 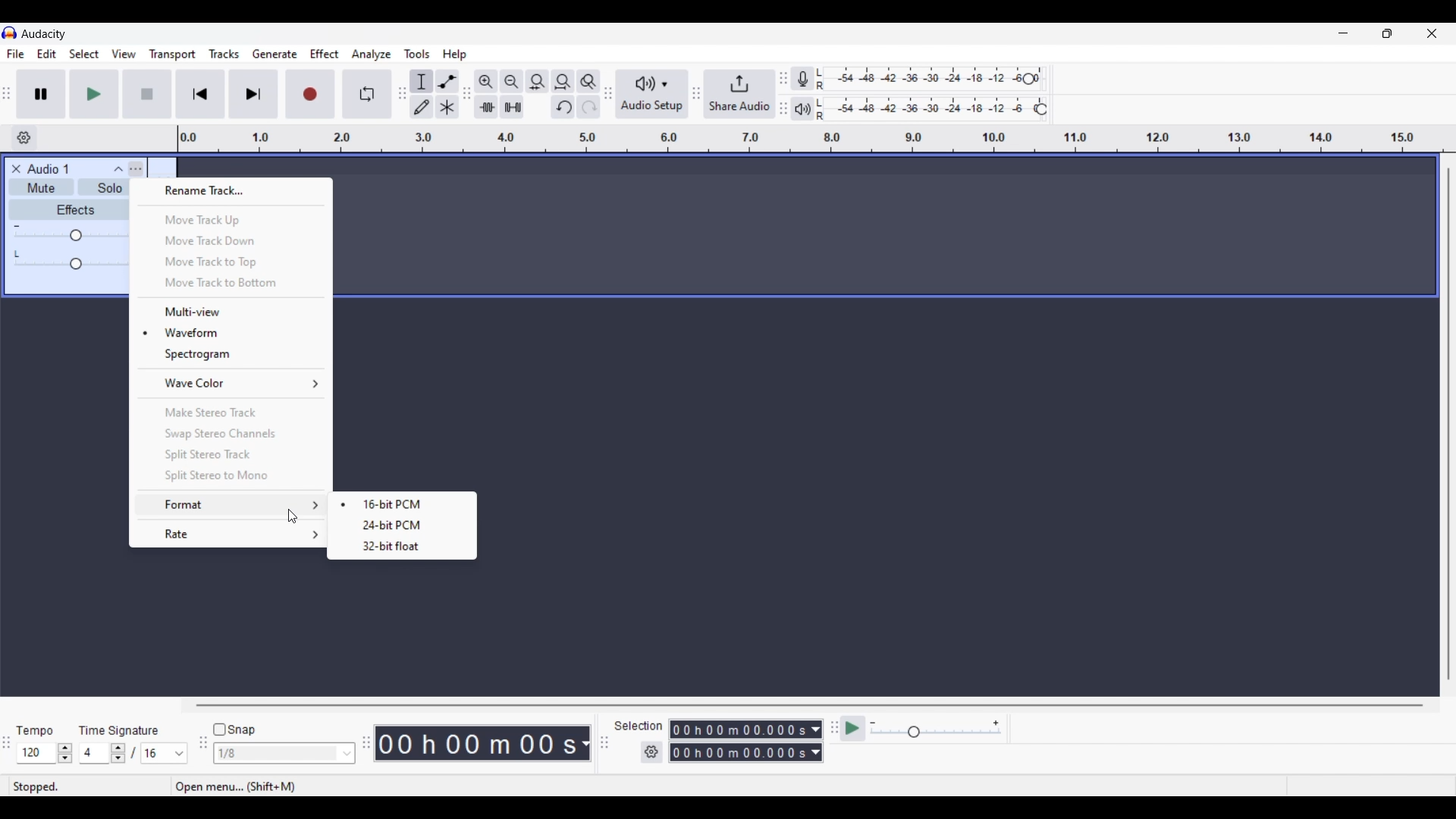 What do you see at coordinates (36, 753) in the screenshot?
I see `Selected tempo` at bounding box center [36, 753].